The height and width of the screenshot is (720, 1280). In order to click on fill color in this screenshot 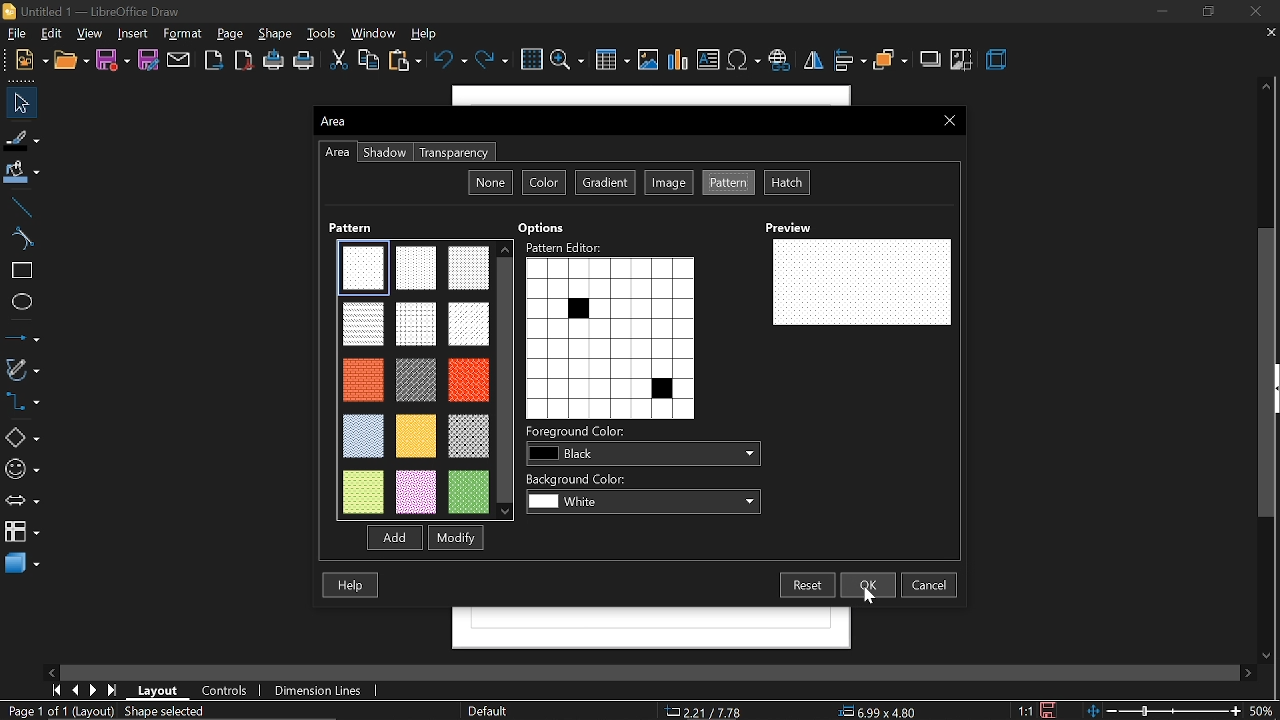, I will do `click(22, 172)`.